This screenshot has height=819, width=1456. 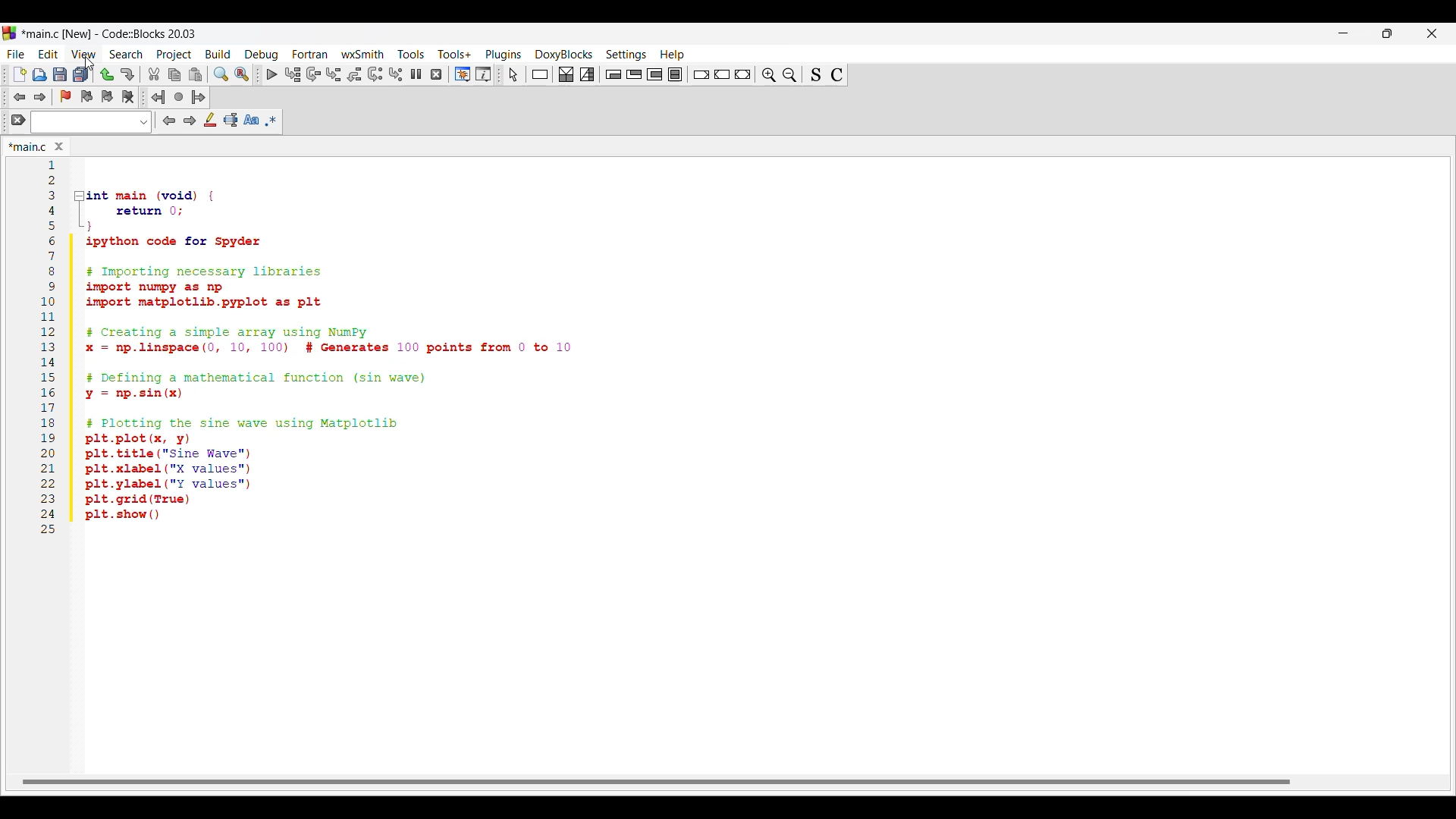 What do you see at coordinates (483, 74) in the screenshot?
I see `Various info` at bounding box center [483, 74].